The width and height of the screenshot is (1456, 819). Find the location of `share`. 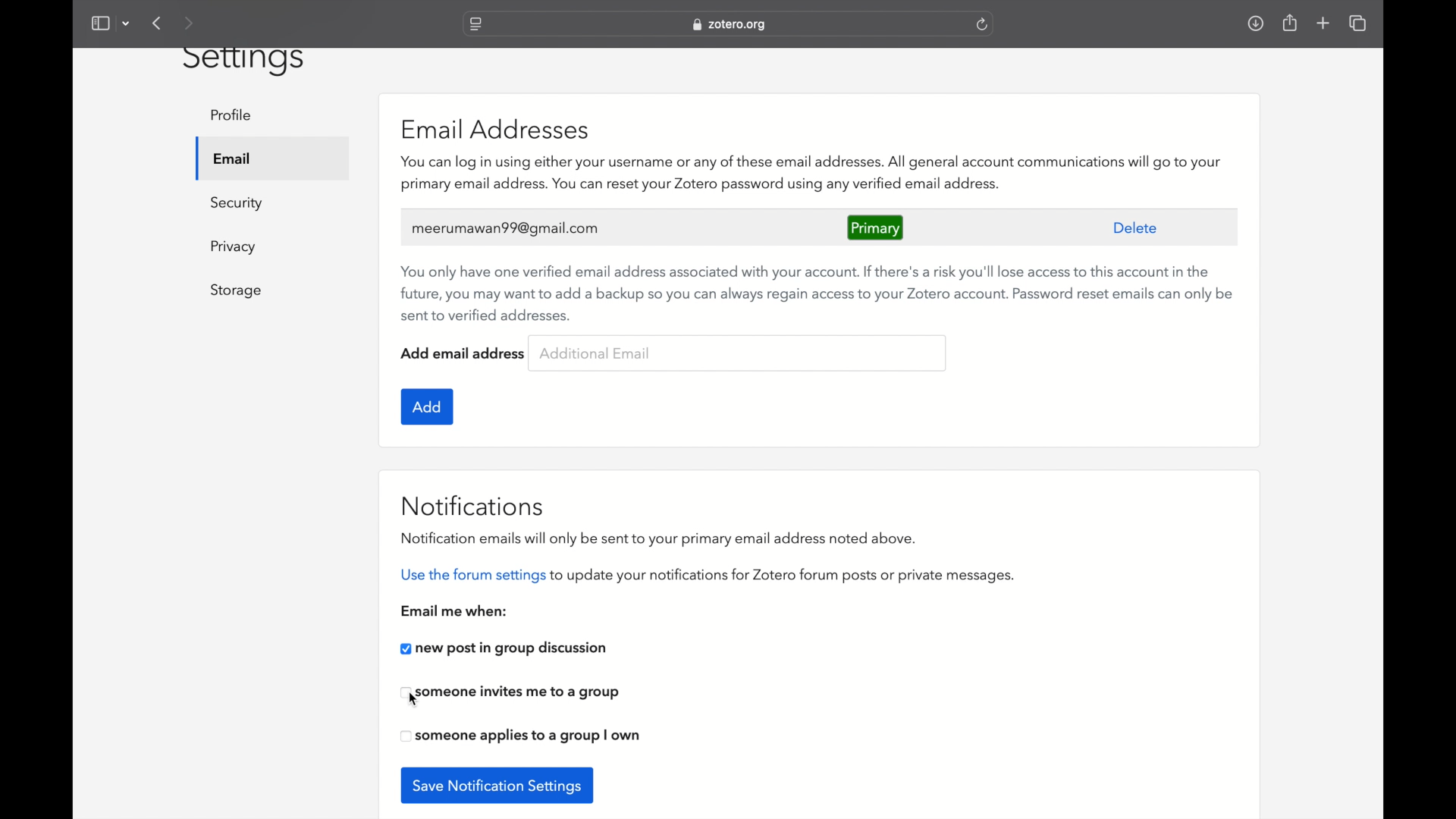

share is located at coordinates (1288, 23).